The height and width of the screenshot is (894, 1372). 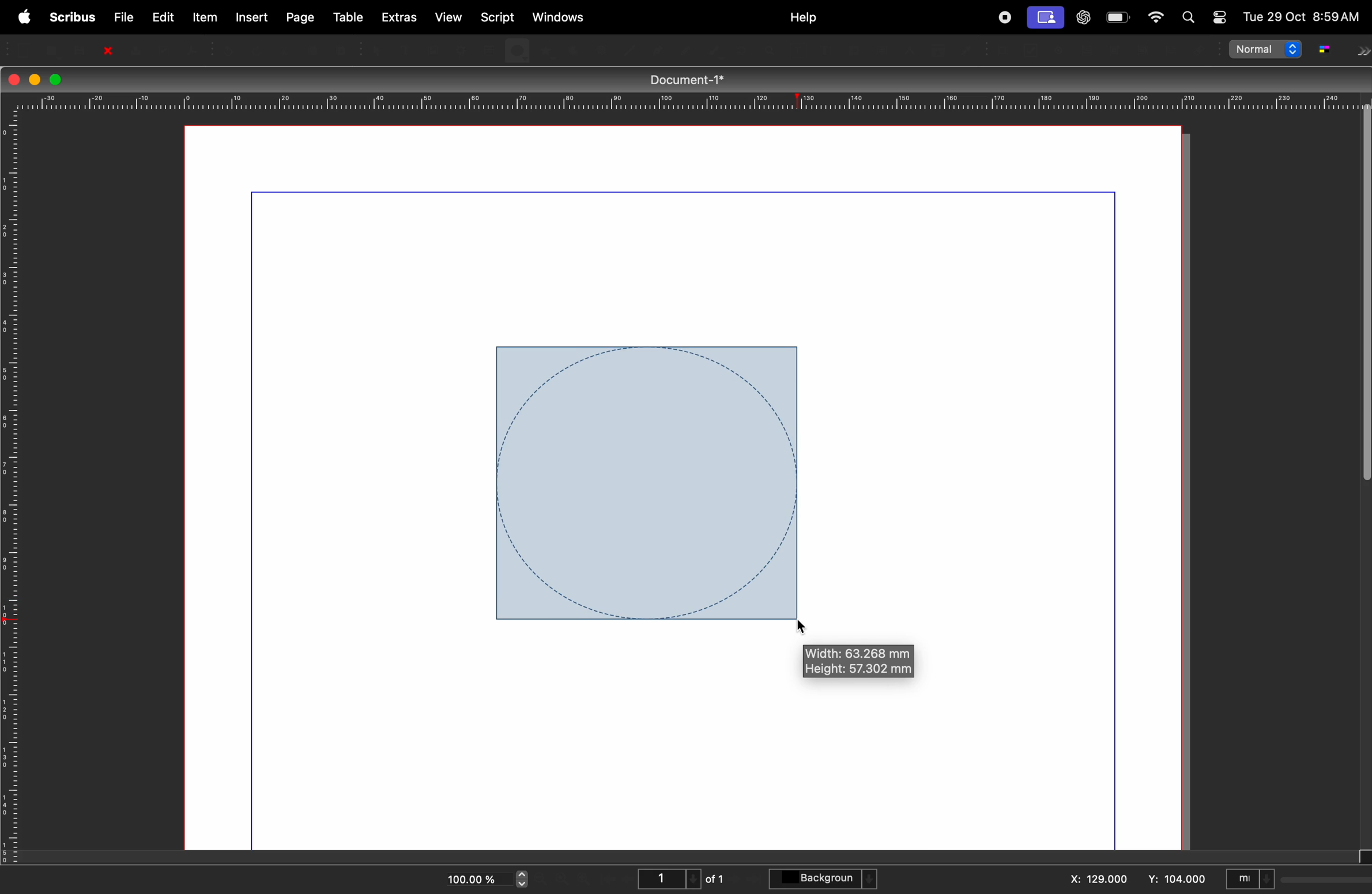 I want to click on cursor, so click(x=804, y=627).